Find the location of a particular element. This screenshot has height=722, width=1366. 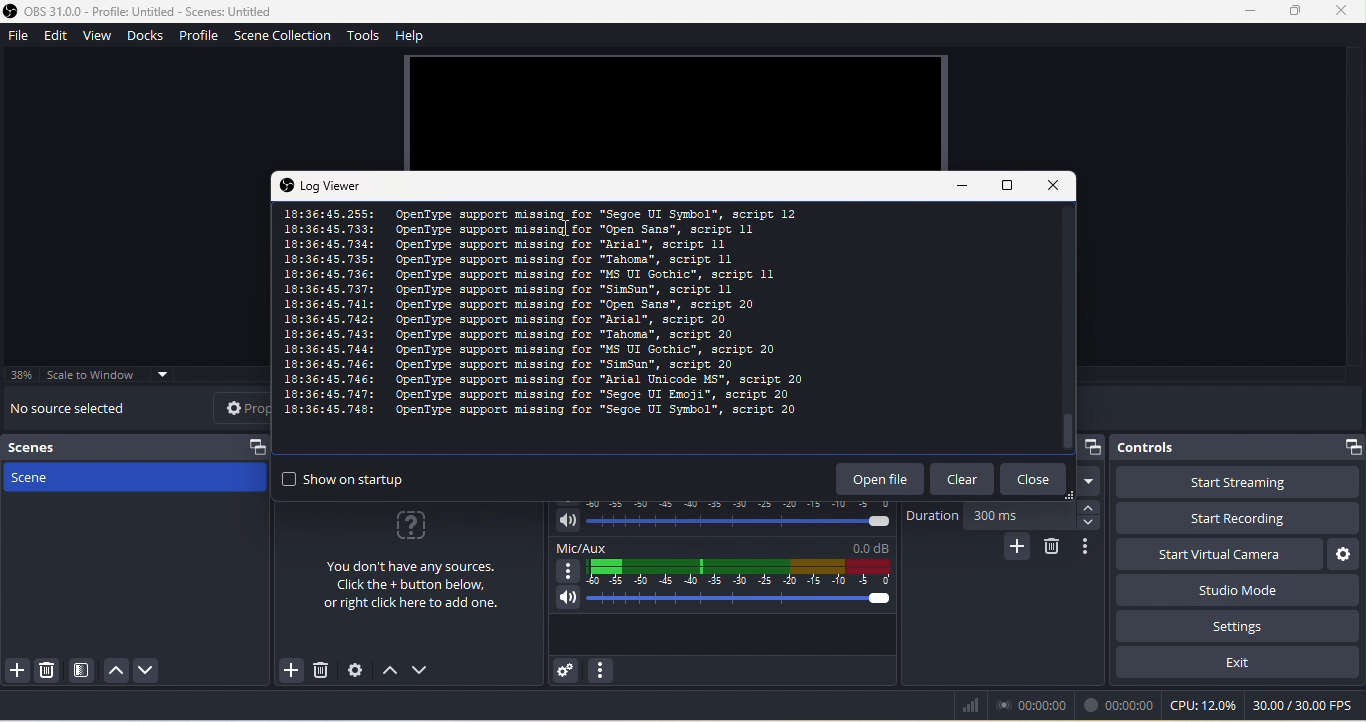

Application logo and name- OBS 31.0.0 - Profile: Untitled - Scenes: Untitled is located at coordinates (145, 11).